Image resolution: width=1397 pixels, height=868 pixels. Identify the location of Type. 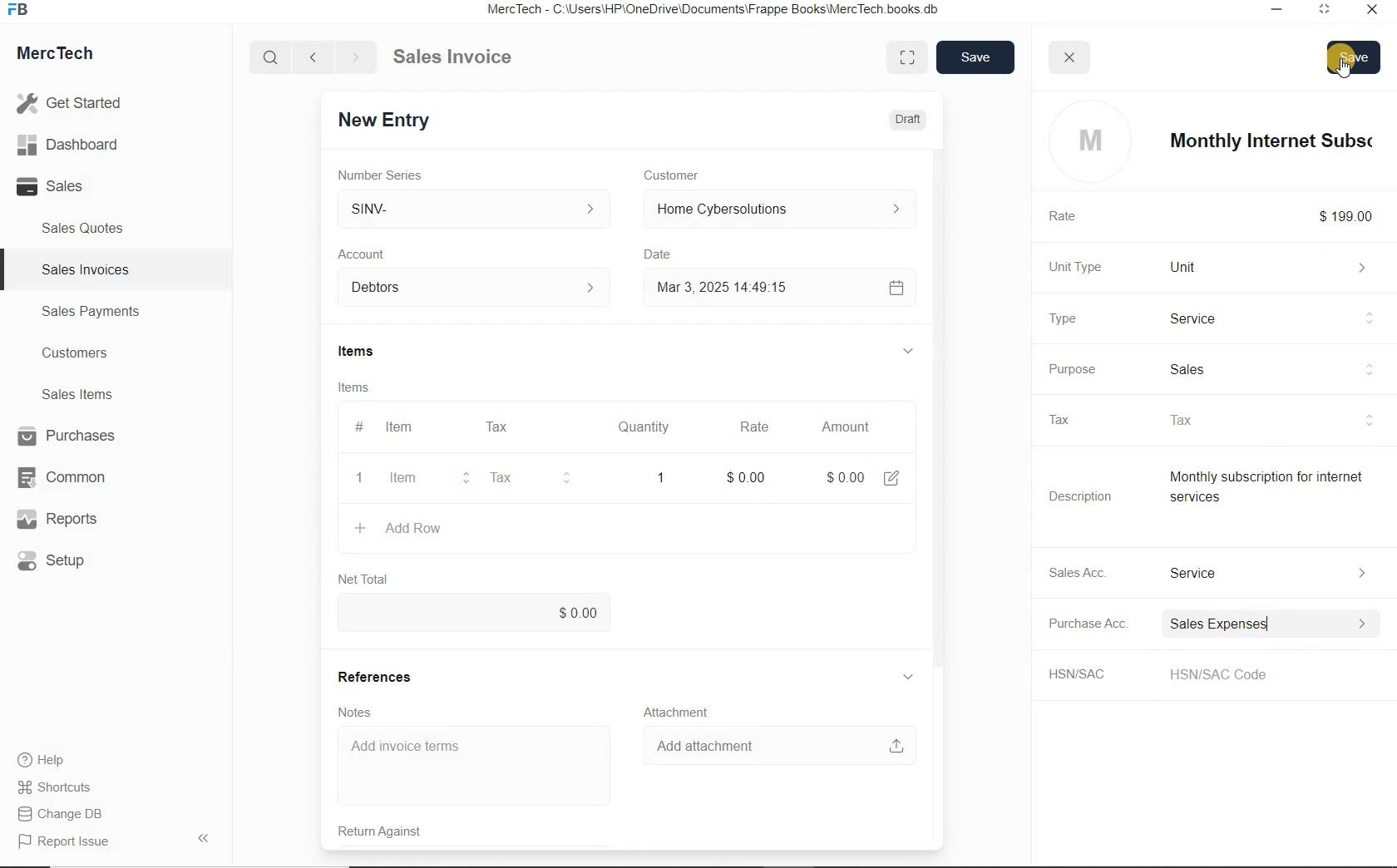
(1061, 318).